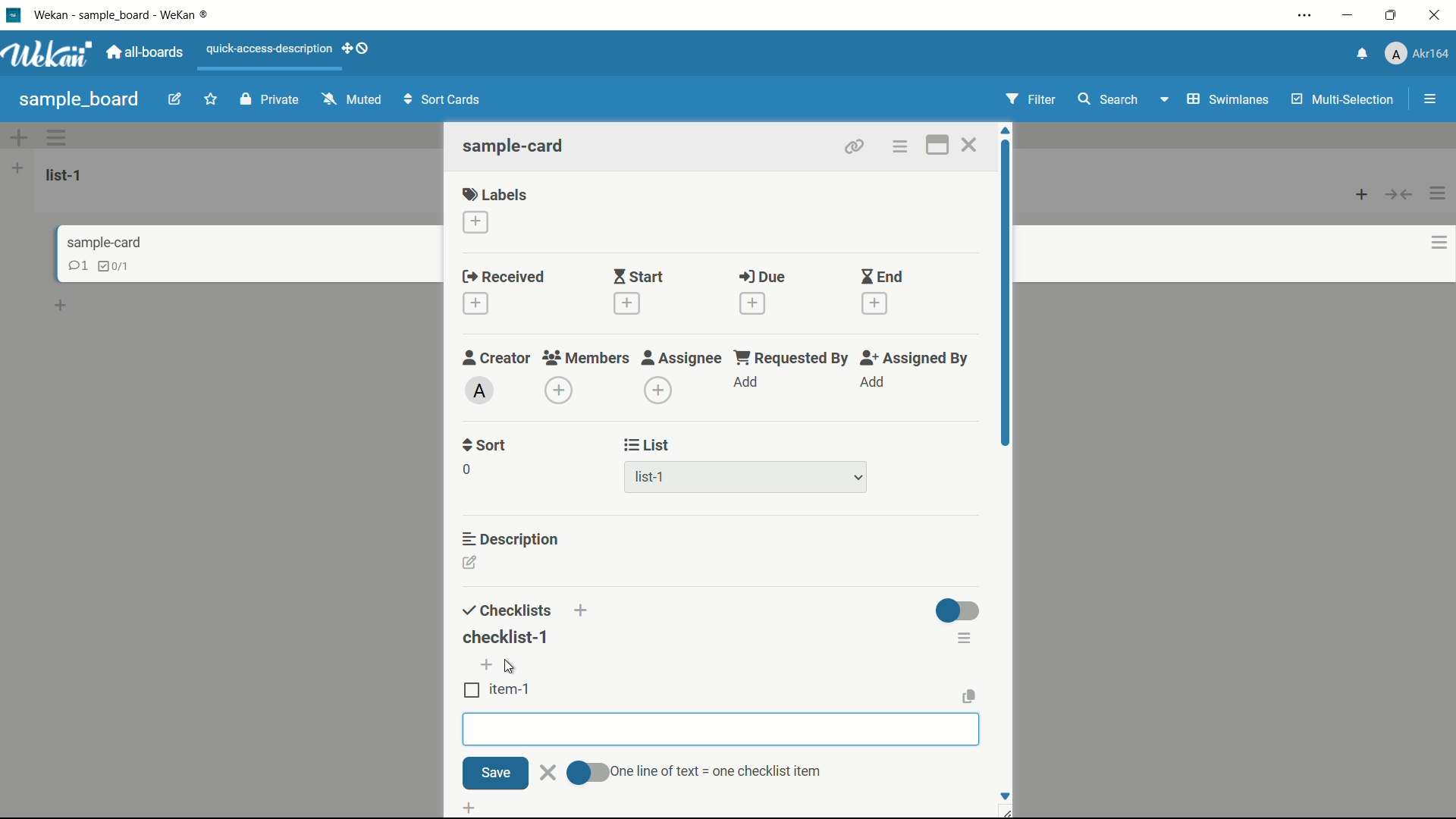 The height and width of the screenshot is (819, 1456). What do you see at coordinates (266, 99) in the screenshot?
I see `Private` at bounding box center [266, 99].